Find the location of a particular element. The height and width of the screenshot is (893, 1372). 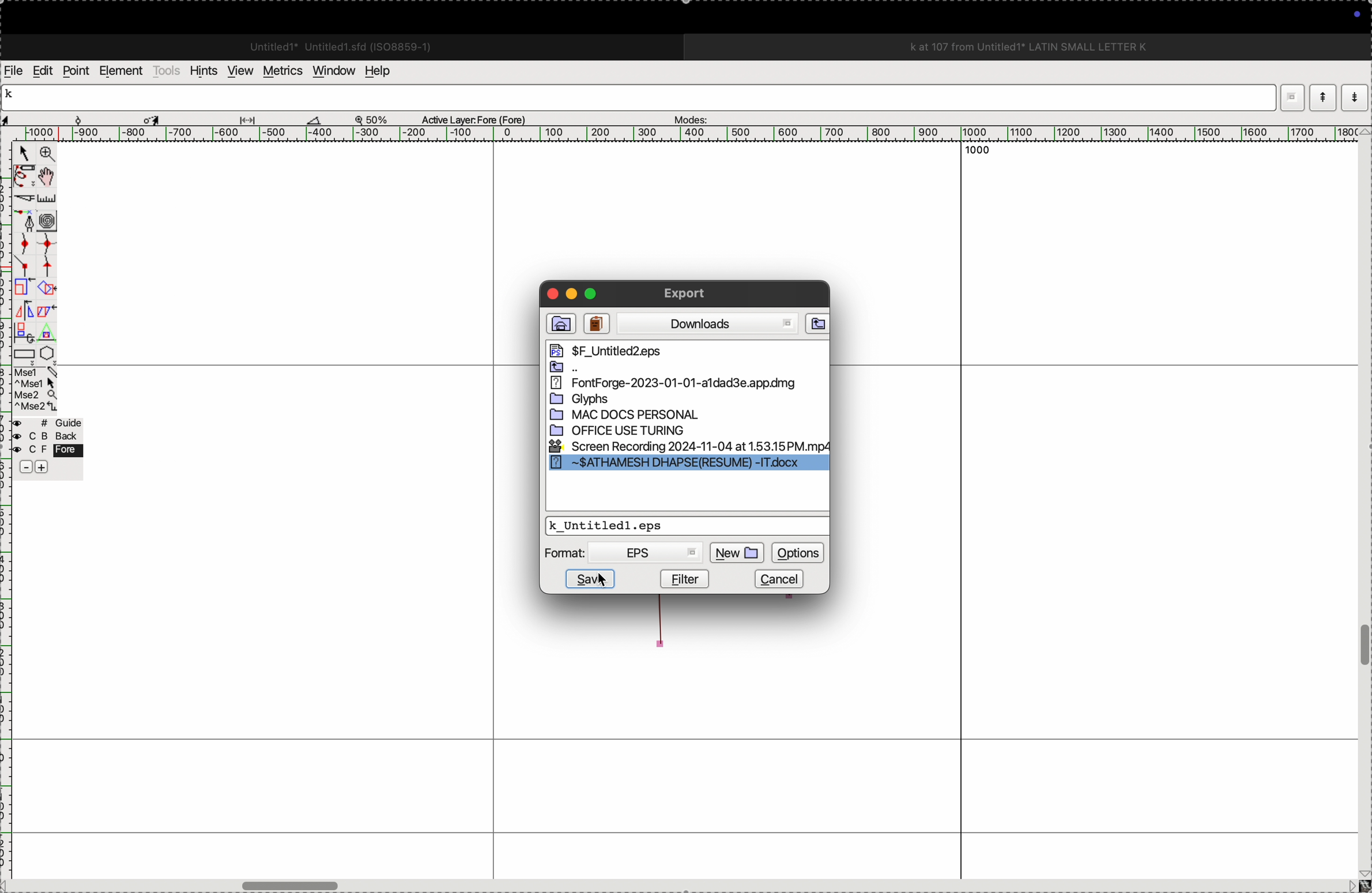

file is located at coordinates (559, 324).